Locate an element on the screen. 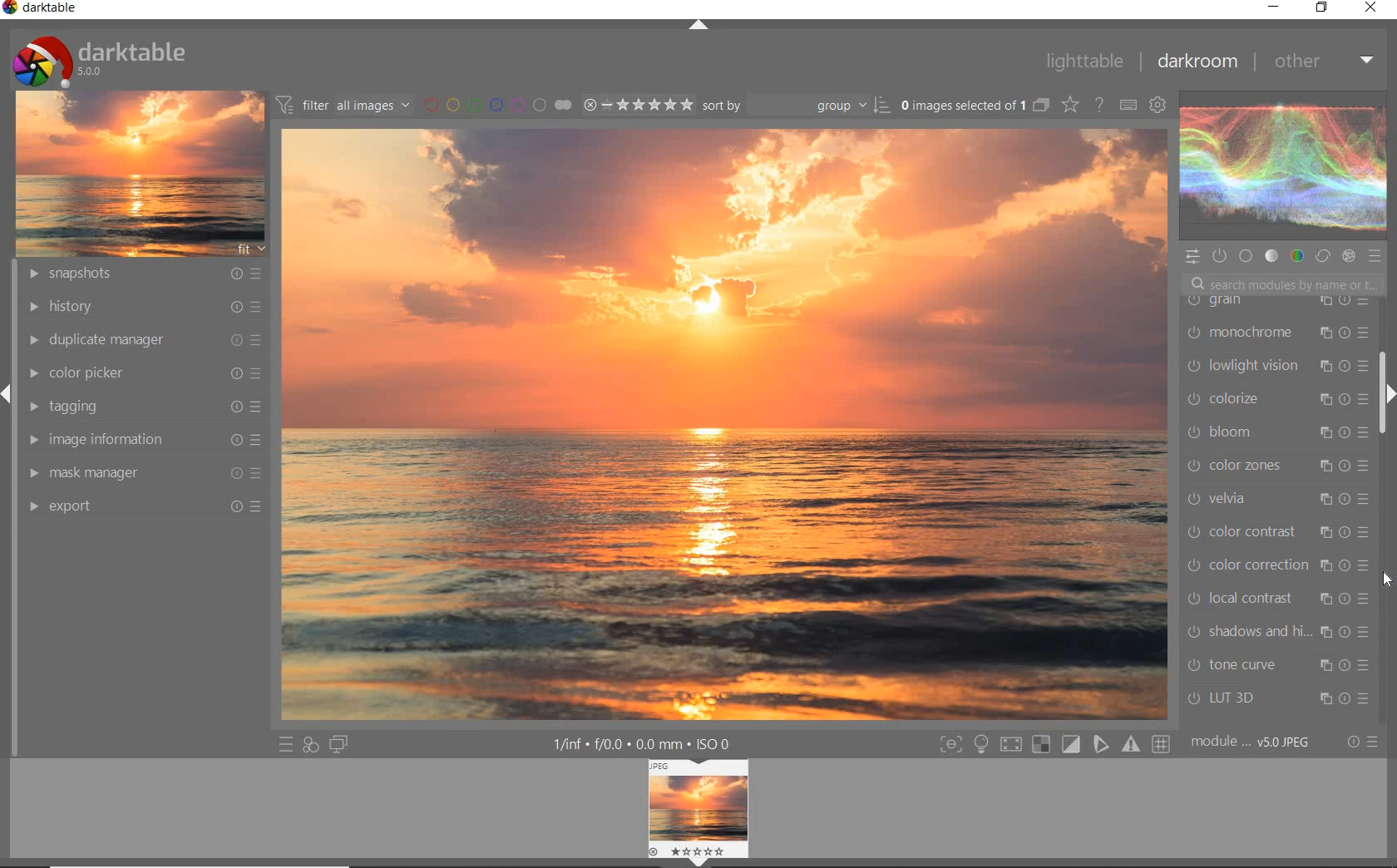  DUPLICATE MANAGER is located at coordinates (141, 338).